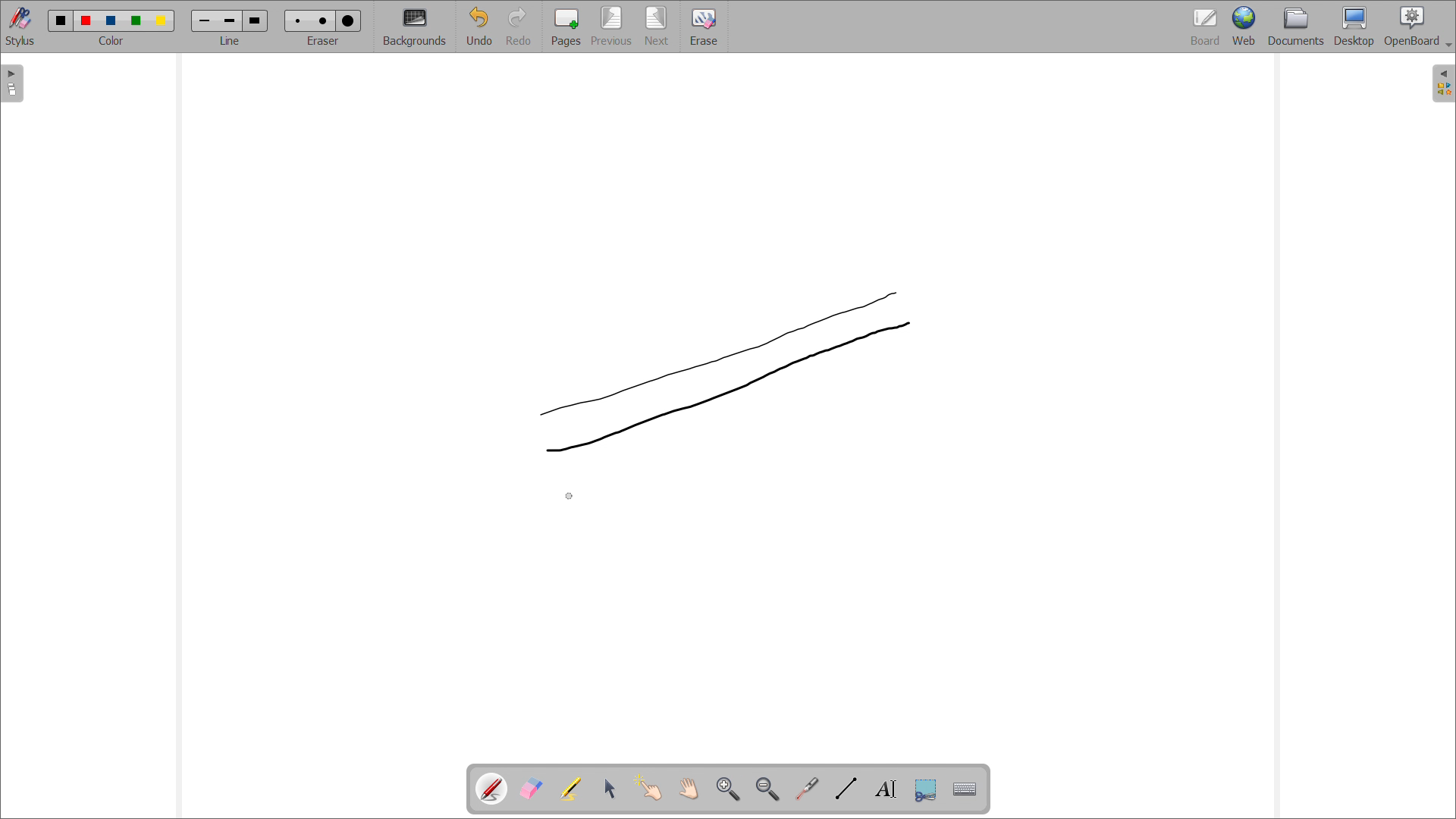 This screenshot has width=1456, height=819. Describe the element at coordinates (650, 788) in the screenshot. I see `interact with items` at that location.